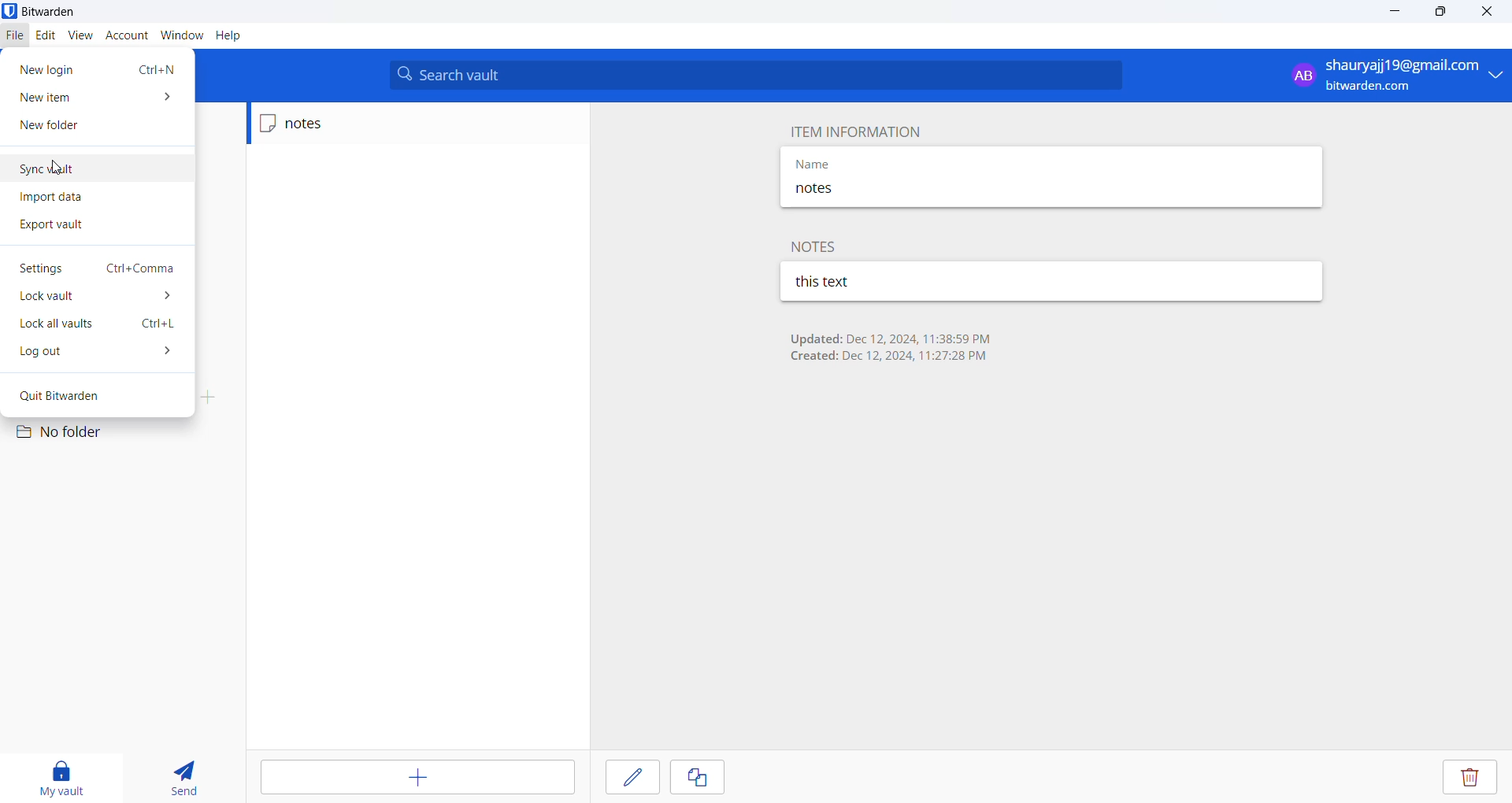 This screenshot has height=803, width=1512. What do you see at coordinates (58, 775) in the screenshot?
I see `My vault ` at bounding box center [58, 775].